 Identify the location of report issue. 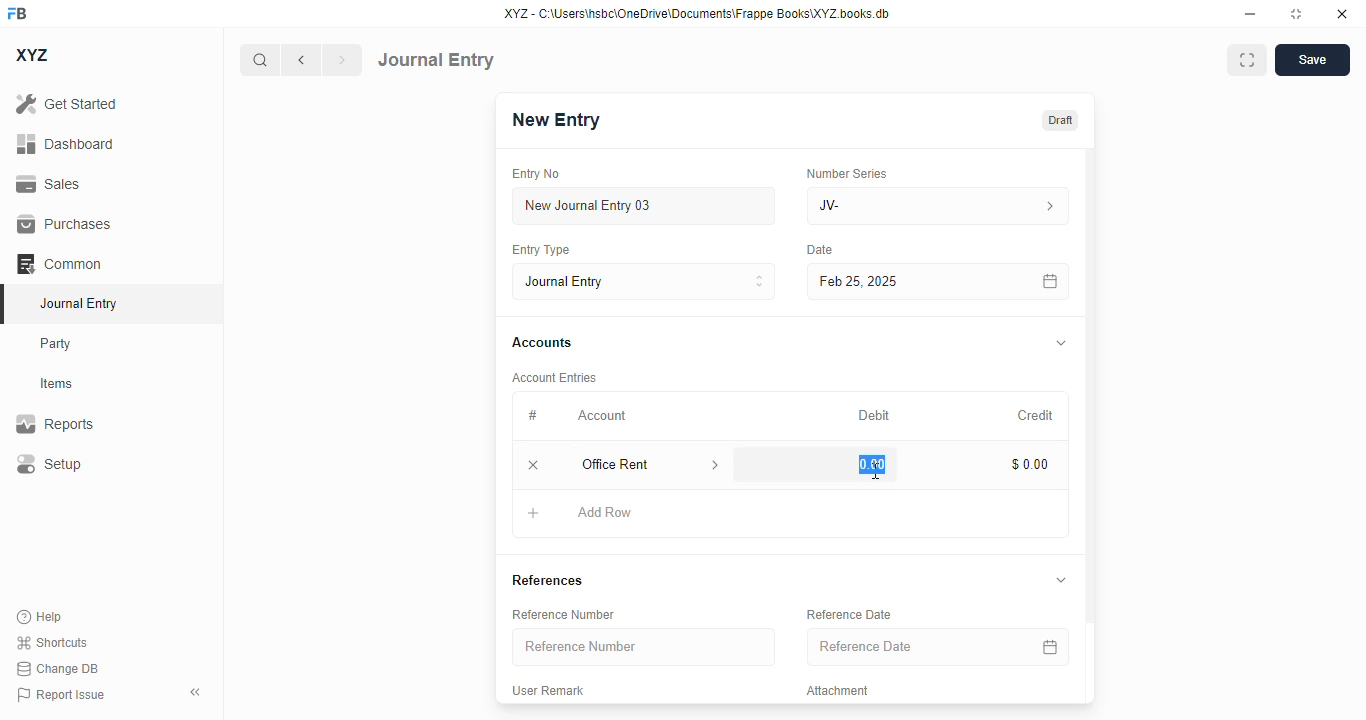
(61, 695).